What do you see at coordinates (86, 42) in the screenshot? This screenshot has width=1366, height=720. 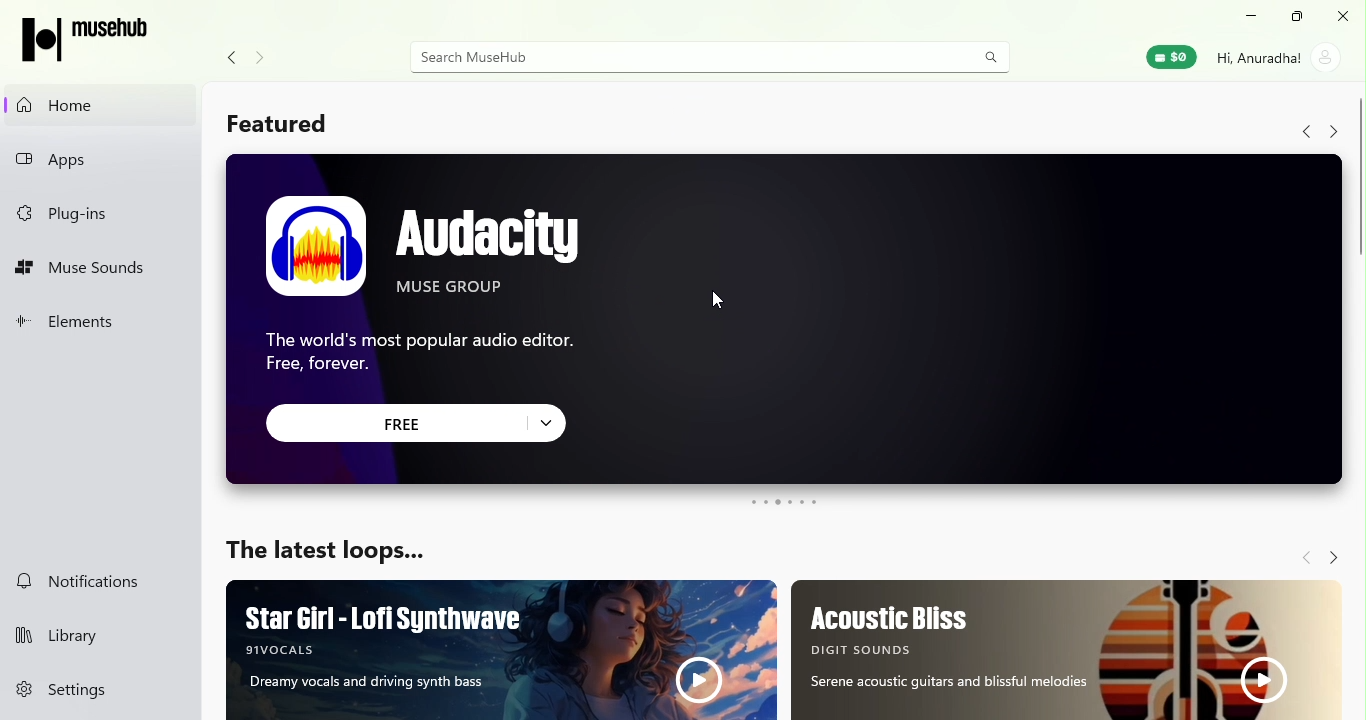 I see `Musehub icon` at bounding box center [86, 42].